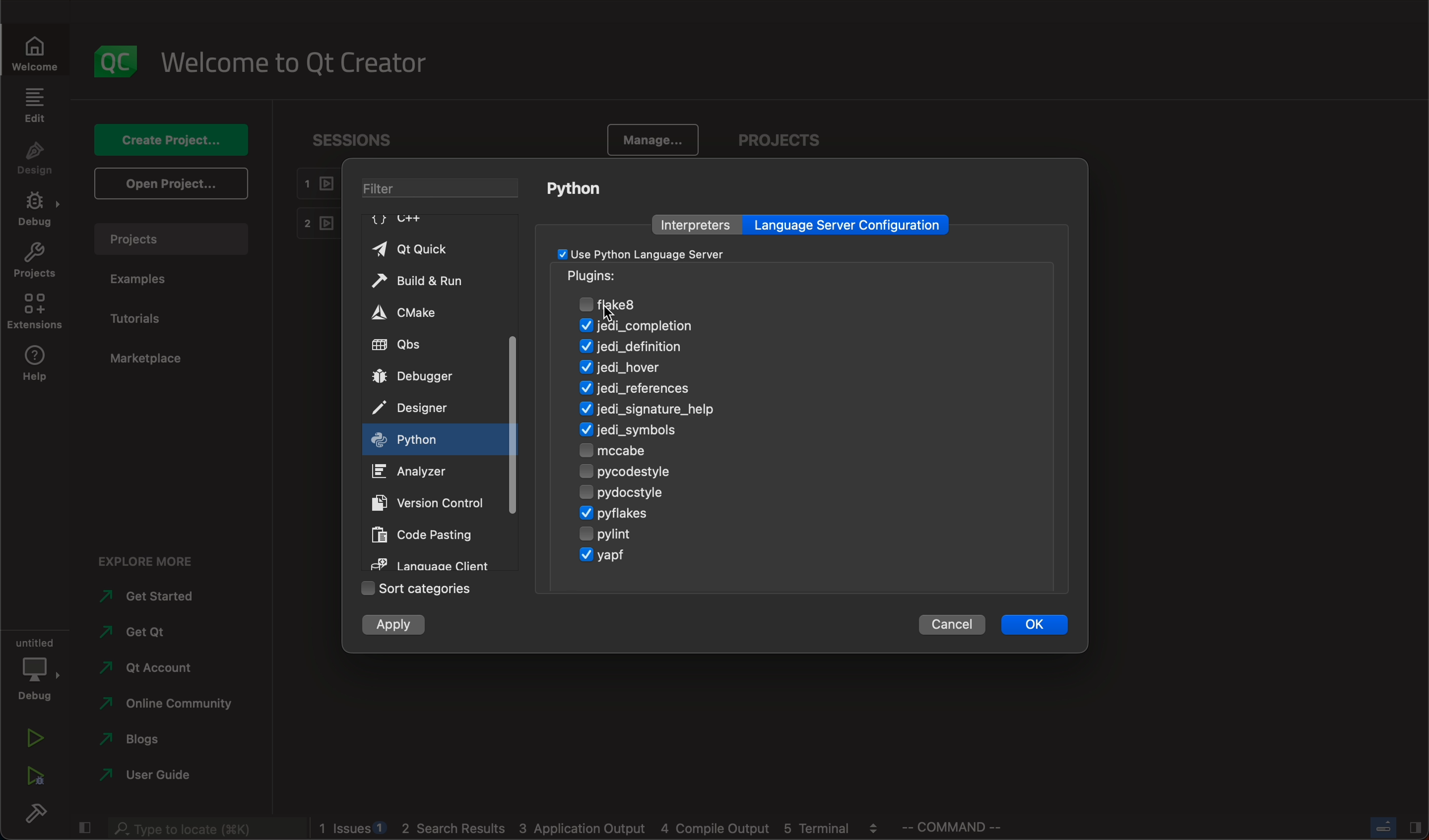 The height and width of the screenshot is (840, 1429). I want to click on hover, so click(635, 366).